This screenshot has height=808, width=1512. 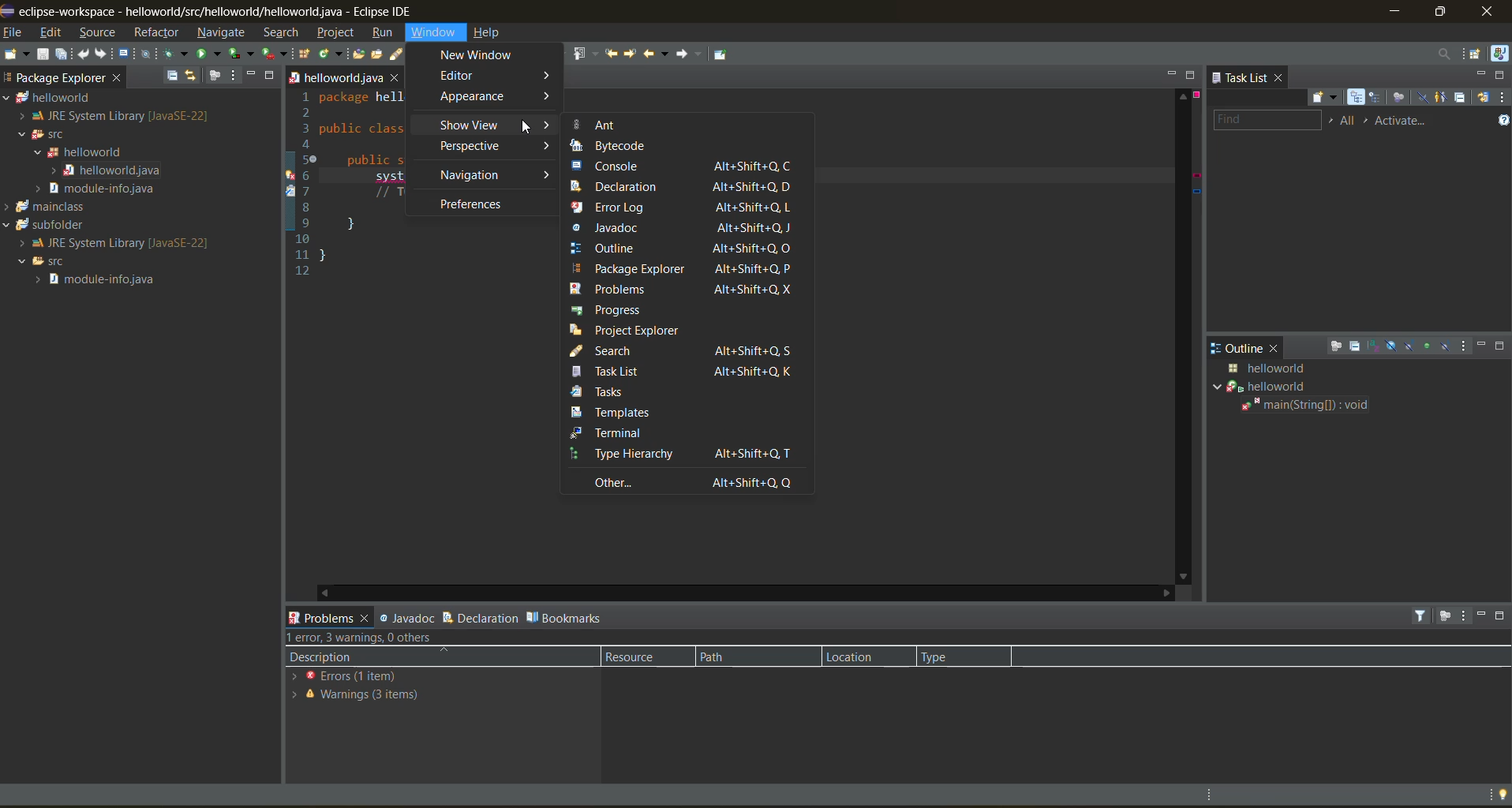 I want to click on show whitespace characters, so click(x=523, y=56).